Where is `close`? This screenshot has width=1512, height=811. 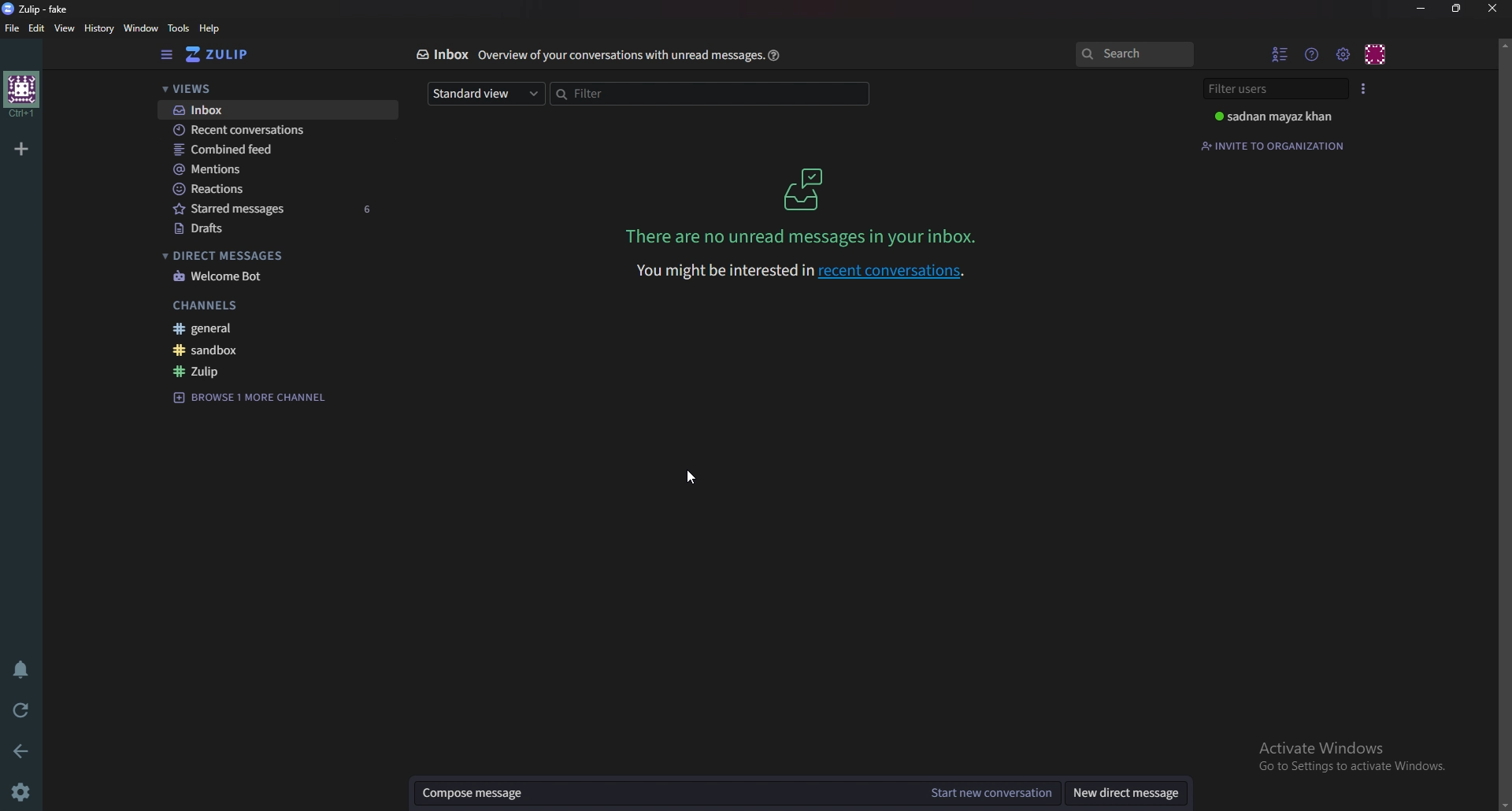 close is located at coordinates (1491, 9).